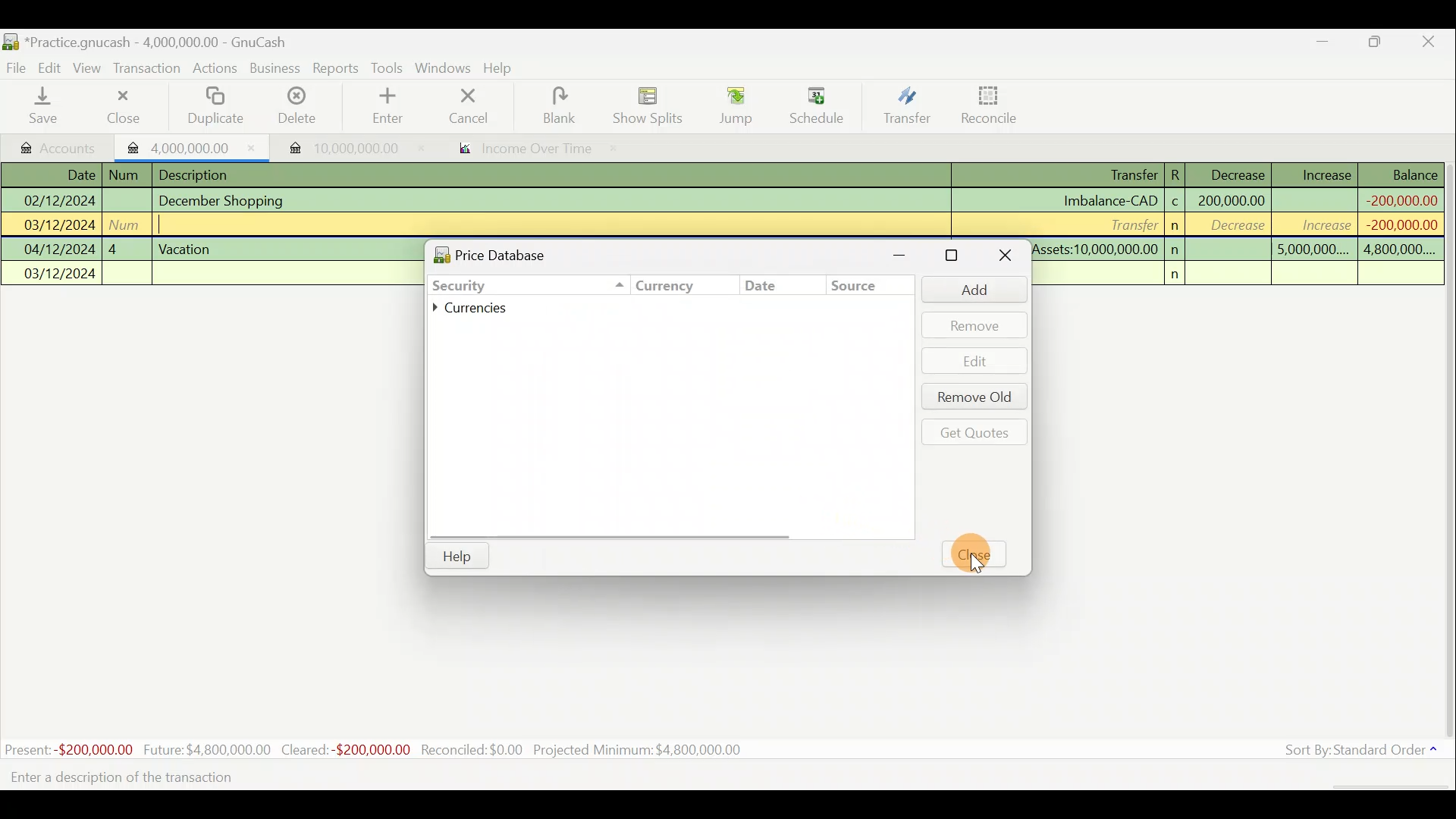  What do you see at coordinates (61, 275) in the screenshot?
I see `03/12/2024` at bounding box center [61, 275].